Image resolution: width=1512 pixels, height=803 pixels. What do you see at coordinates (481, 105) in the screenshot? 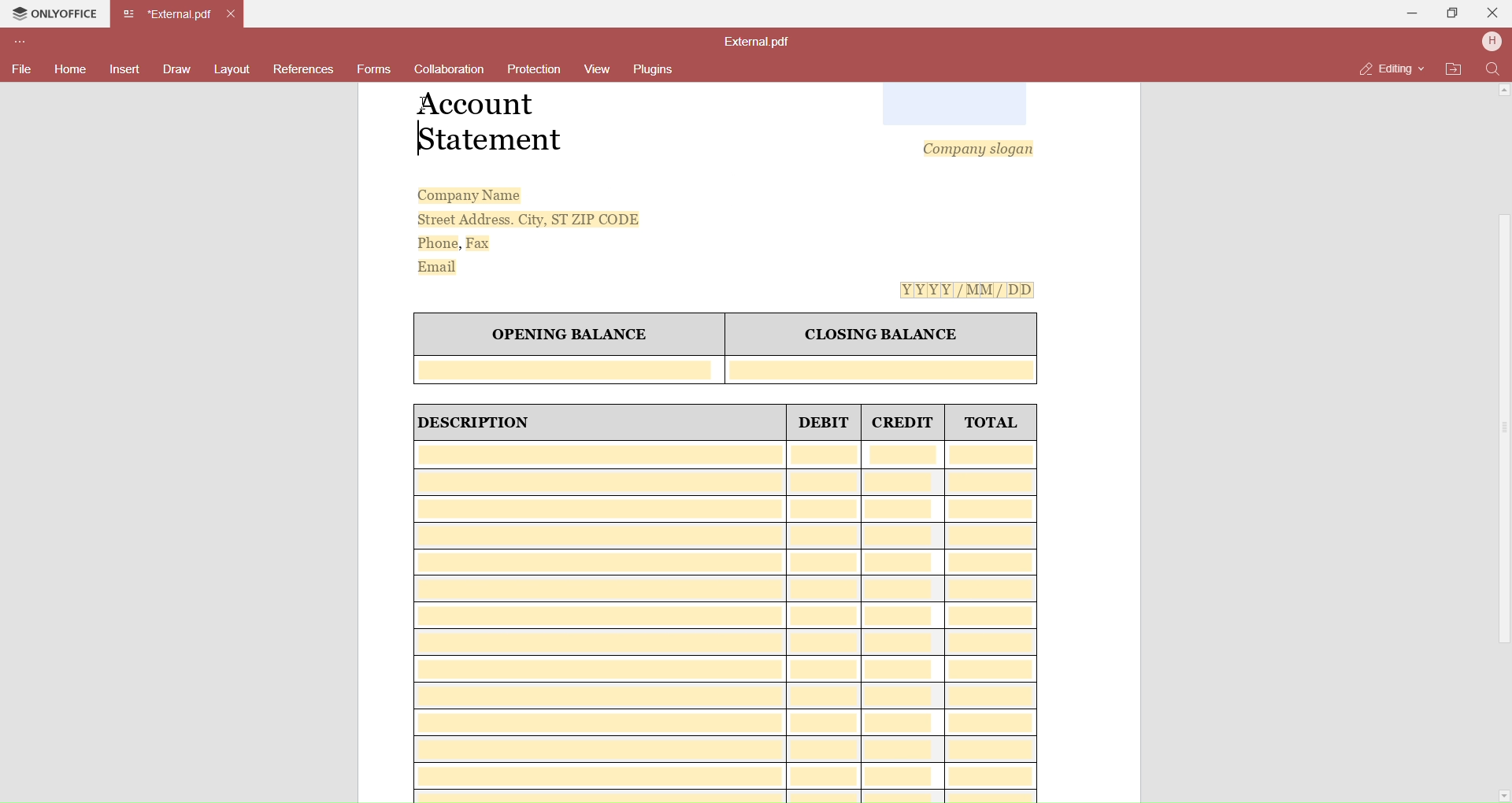
I see `Account` at bounding box center [481, 105].